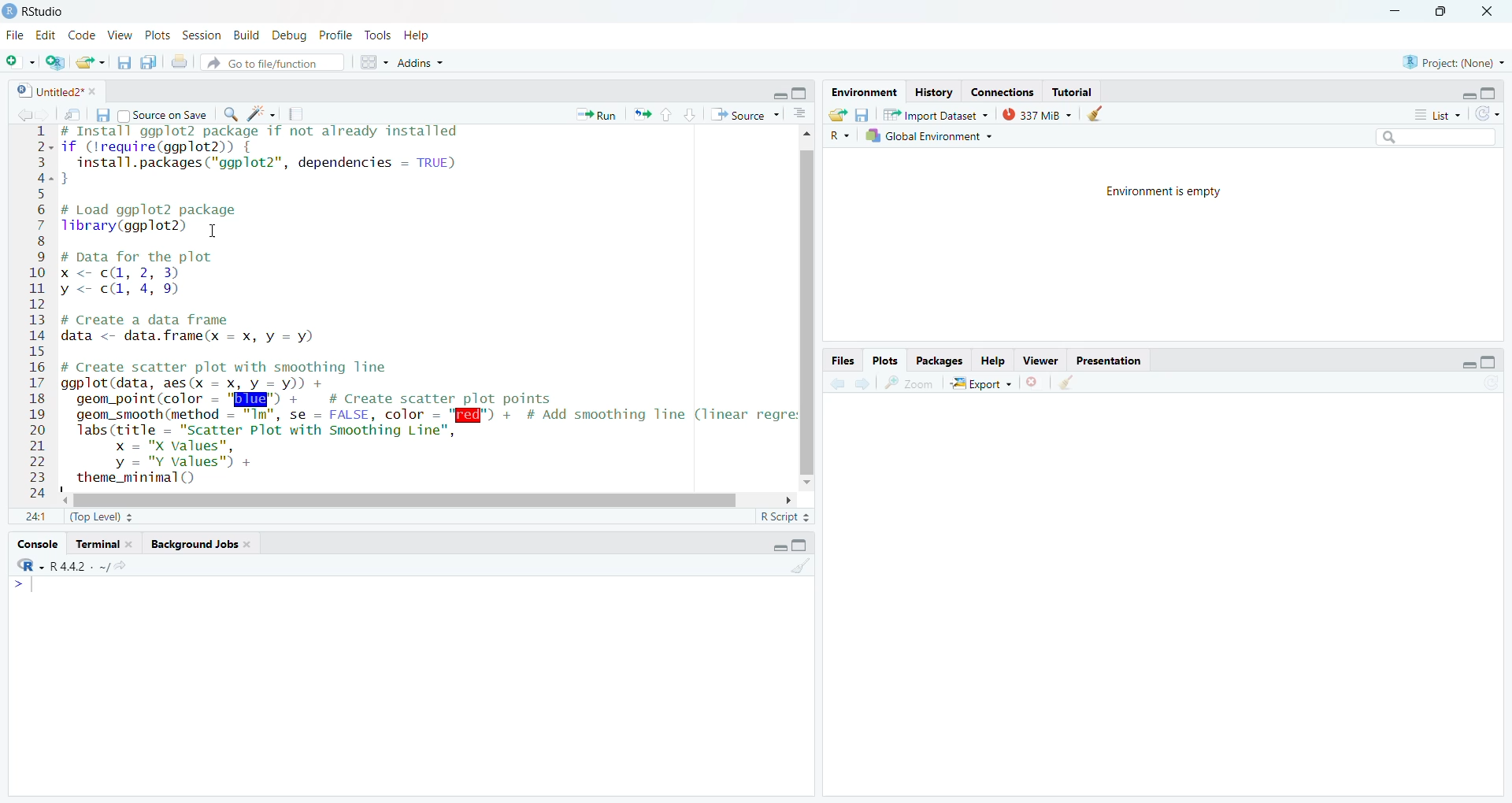  I want to click on clear history, so click(1102, 113).